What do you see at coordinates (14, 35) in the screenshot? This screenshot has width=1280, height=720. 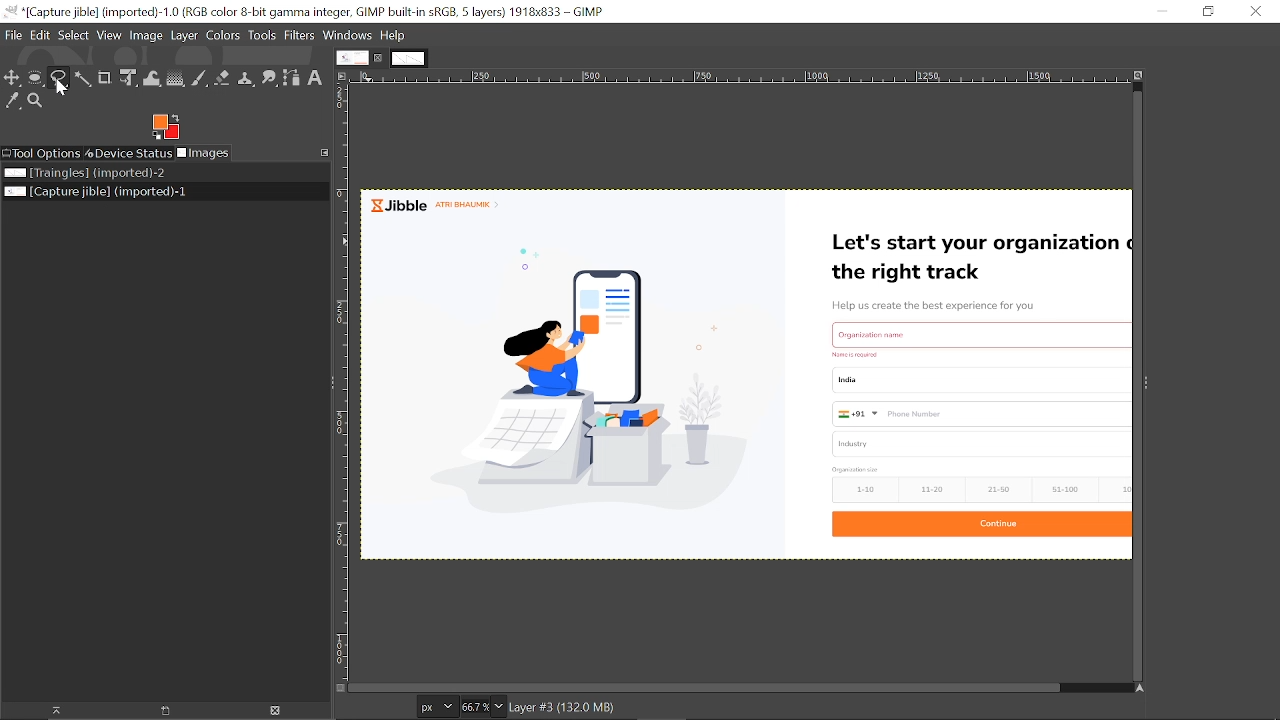 I see `File` at bounding box center [14, 35].